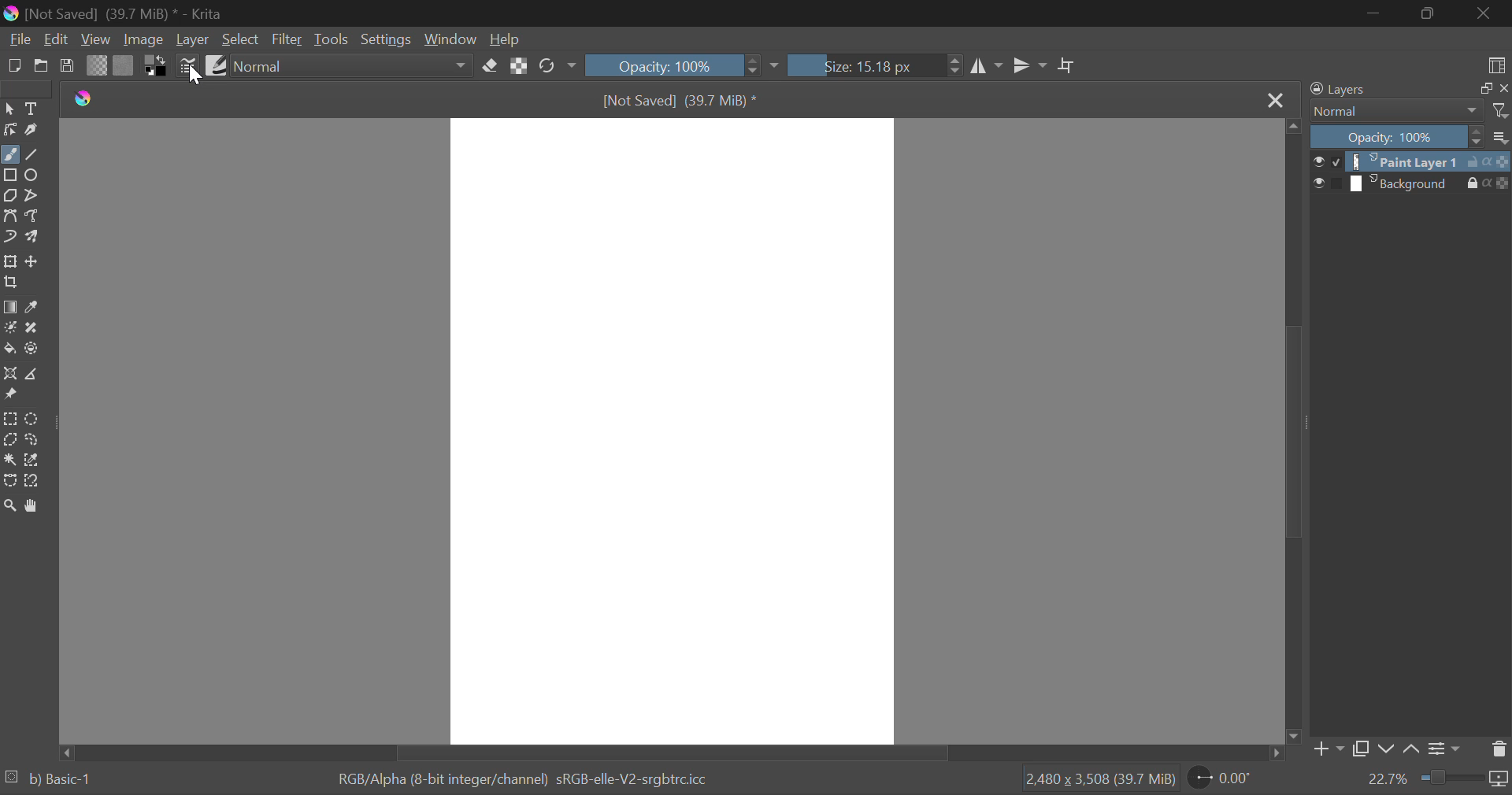 This screenshot has height=795, width=1512. What do you see at coordinates (9, 129) in the screenshot?
I see `Edit Shapes` at bounding box center [9, 129].